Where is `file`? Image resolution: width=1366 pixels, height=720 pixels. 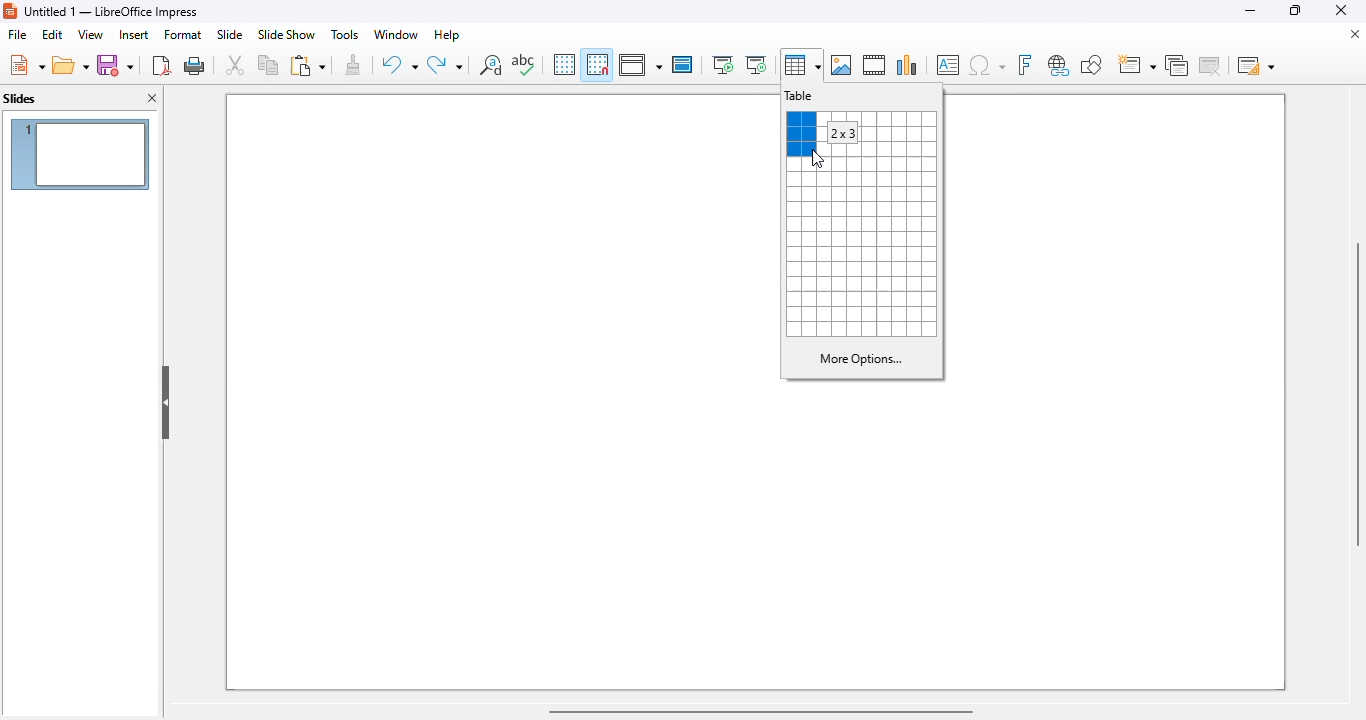
file is located at coordinates (17, 34).